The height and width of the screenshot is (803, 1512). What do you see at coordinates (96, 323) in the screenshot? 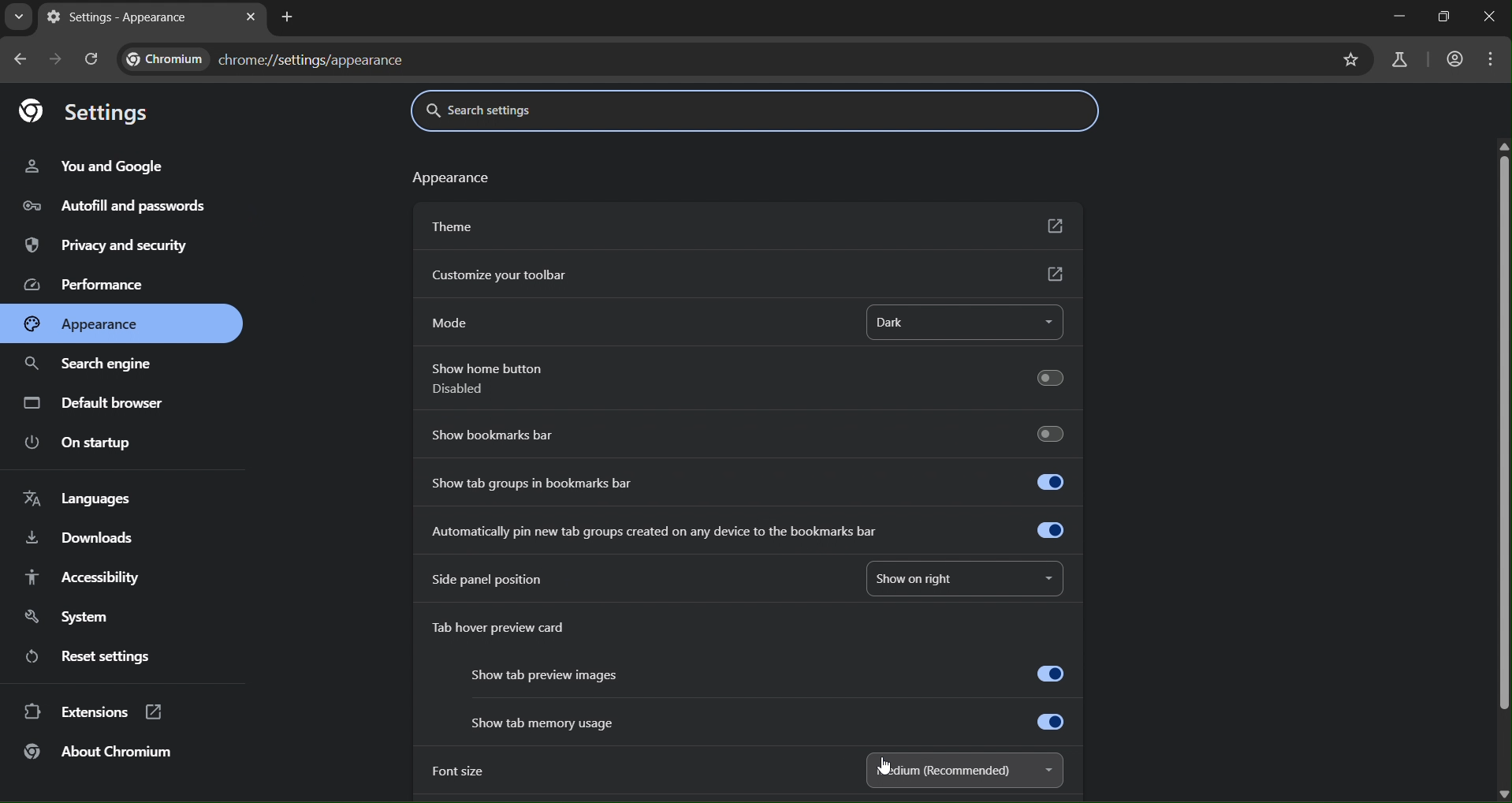
I see `appearance` at bounding box center [96, 323].